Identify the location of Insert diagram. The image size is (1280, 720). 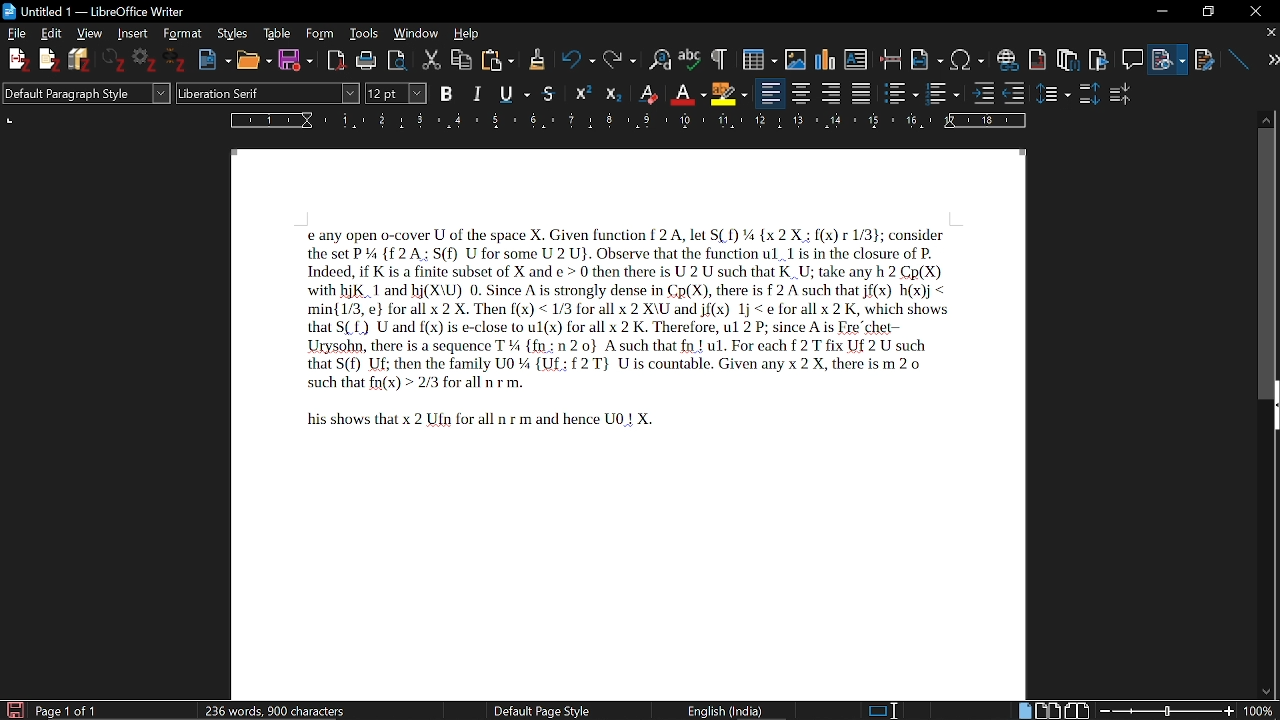
(825, 56).